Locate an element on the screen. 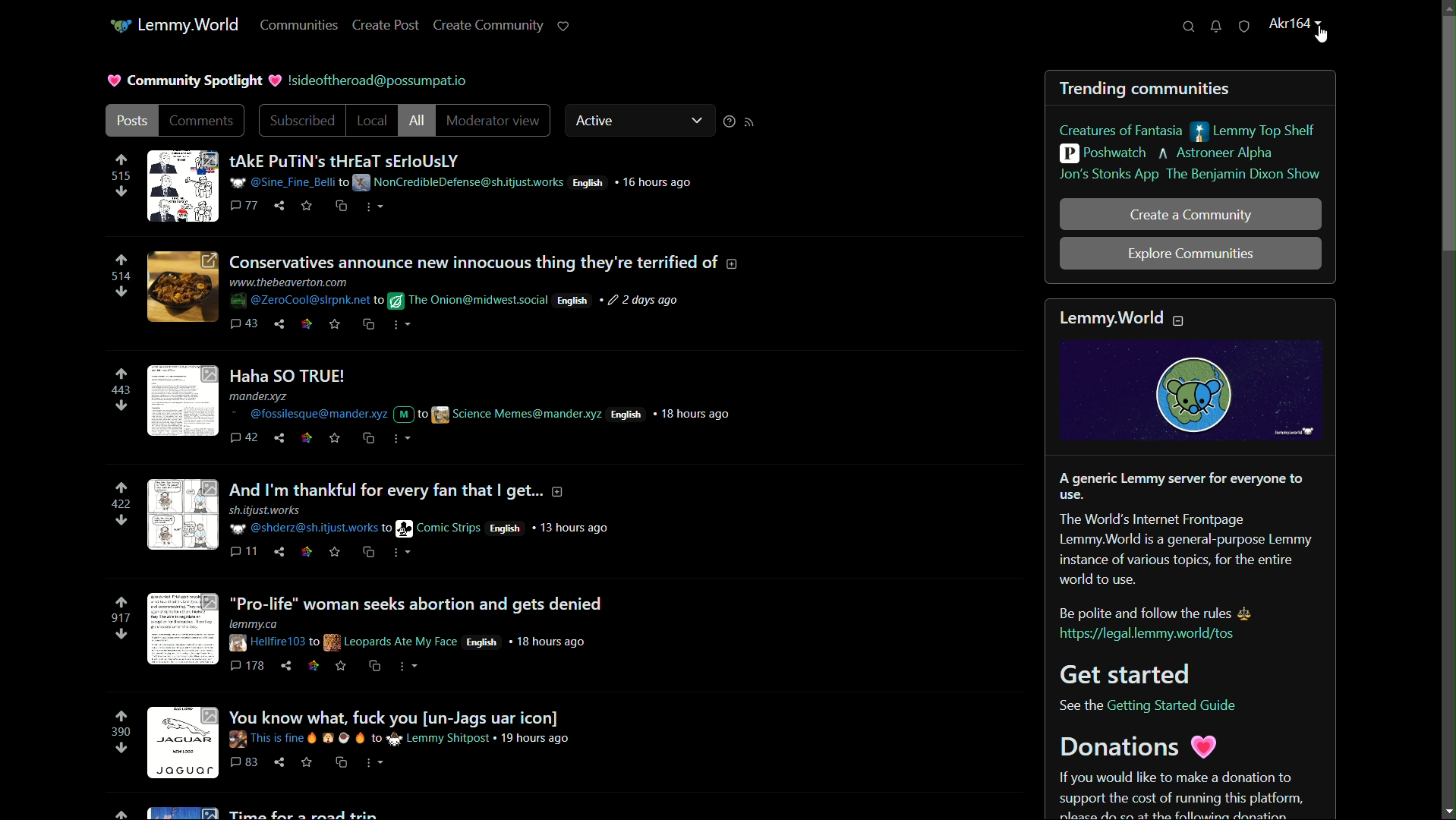 This screenshot has height=820, width=1456. unread reports is located at coordinates (1243, 27).